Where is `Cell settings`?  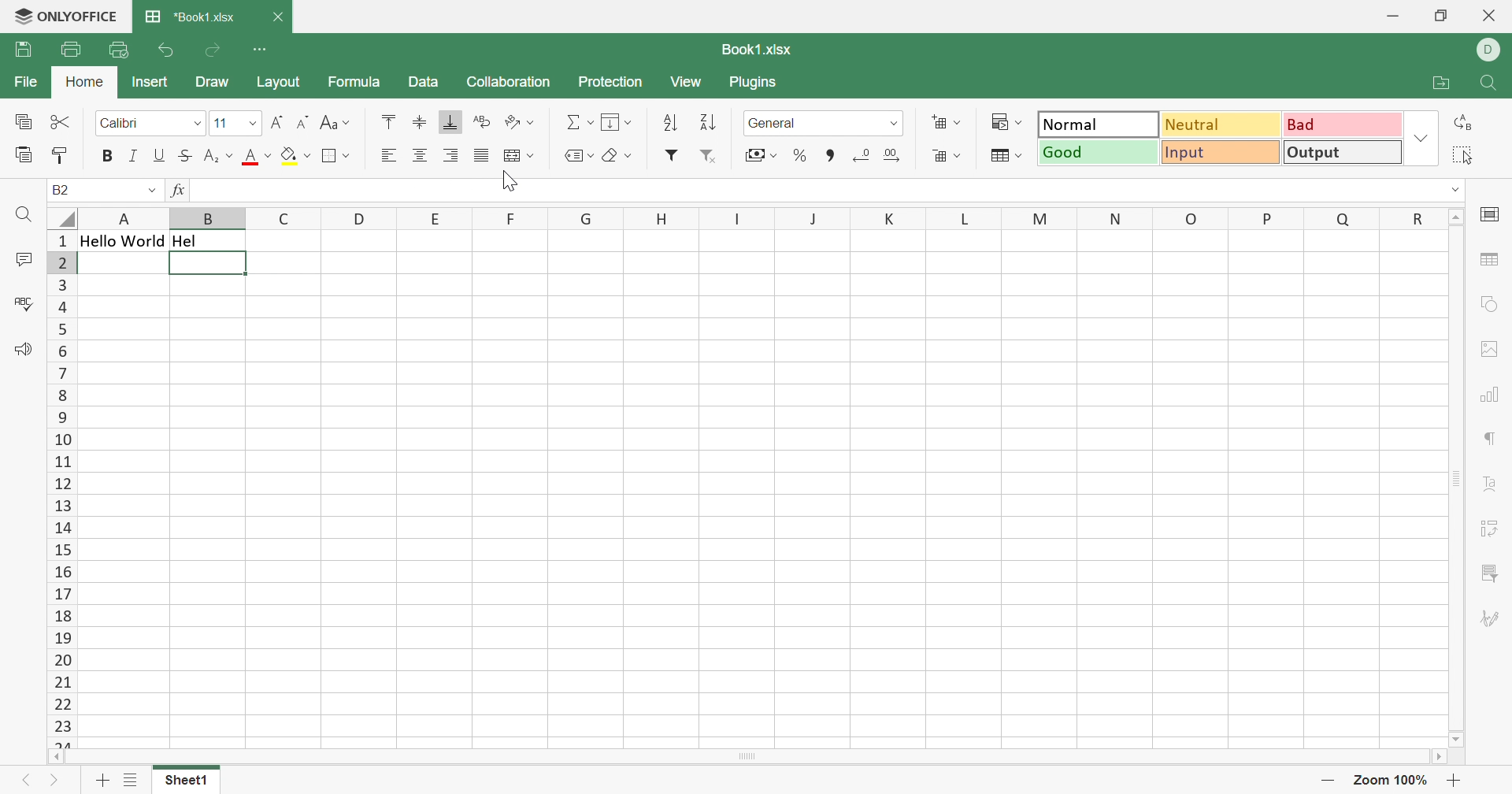 Cell settings is located at coordinates (1492, 213).